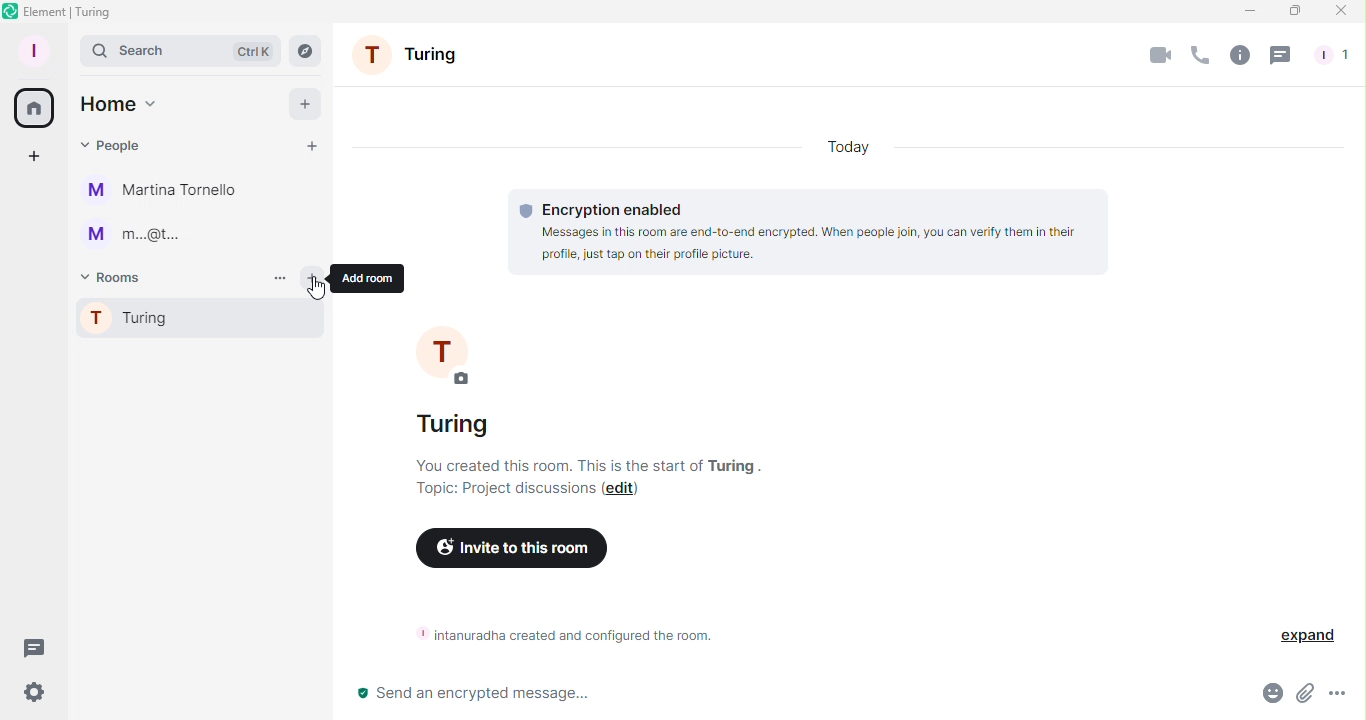 This screenshot has width=1366, height=720. Describe the element at coordinates (30, 645) in the screenshot. I see `Threads` at that location.